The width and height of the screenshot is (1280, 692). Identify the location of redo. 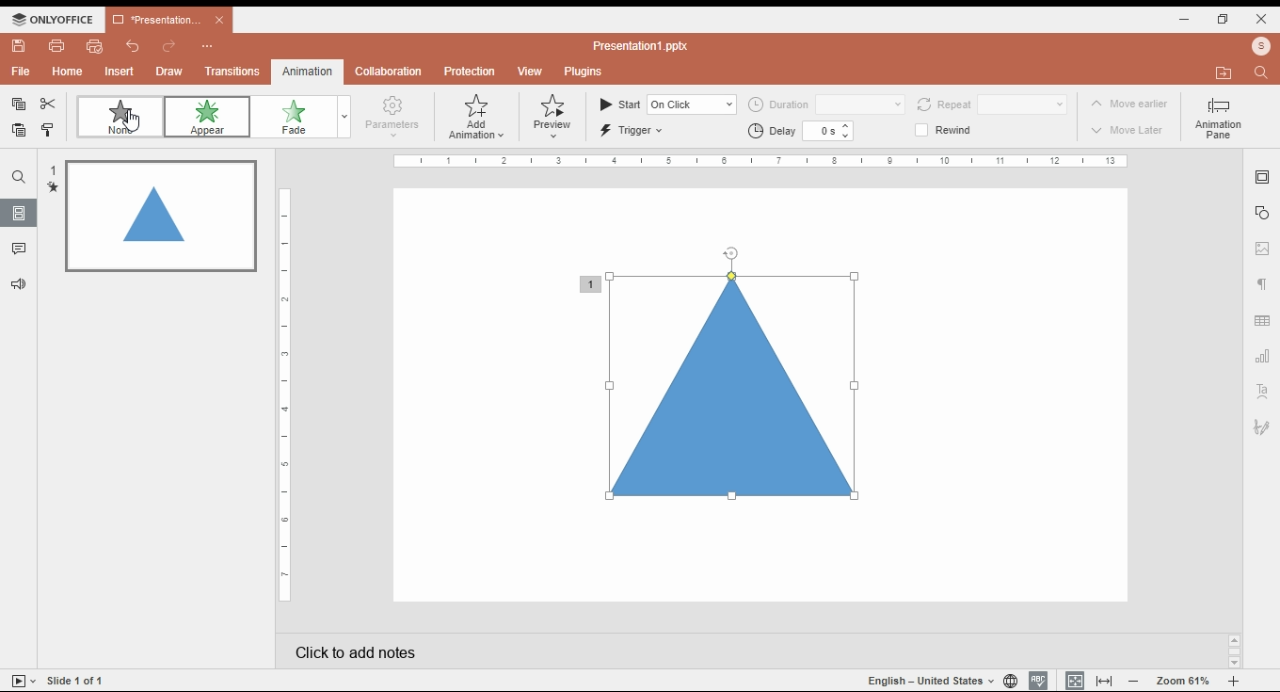
(169, 48).